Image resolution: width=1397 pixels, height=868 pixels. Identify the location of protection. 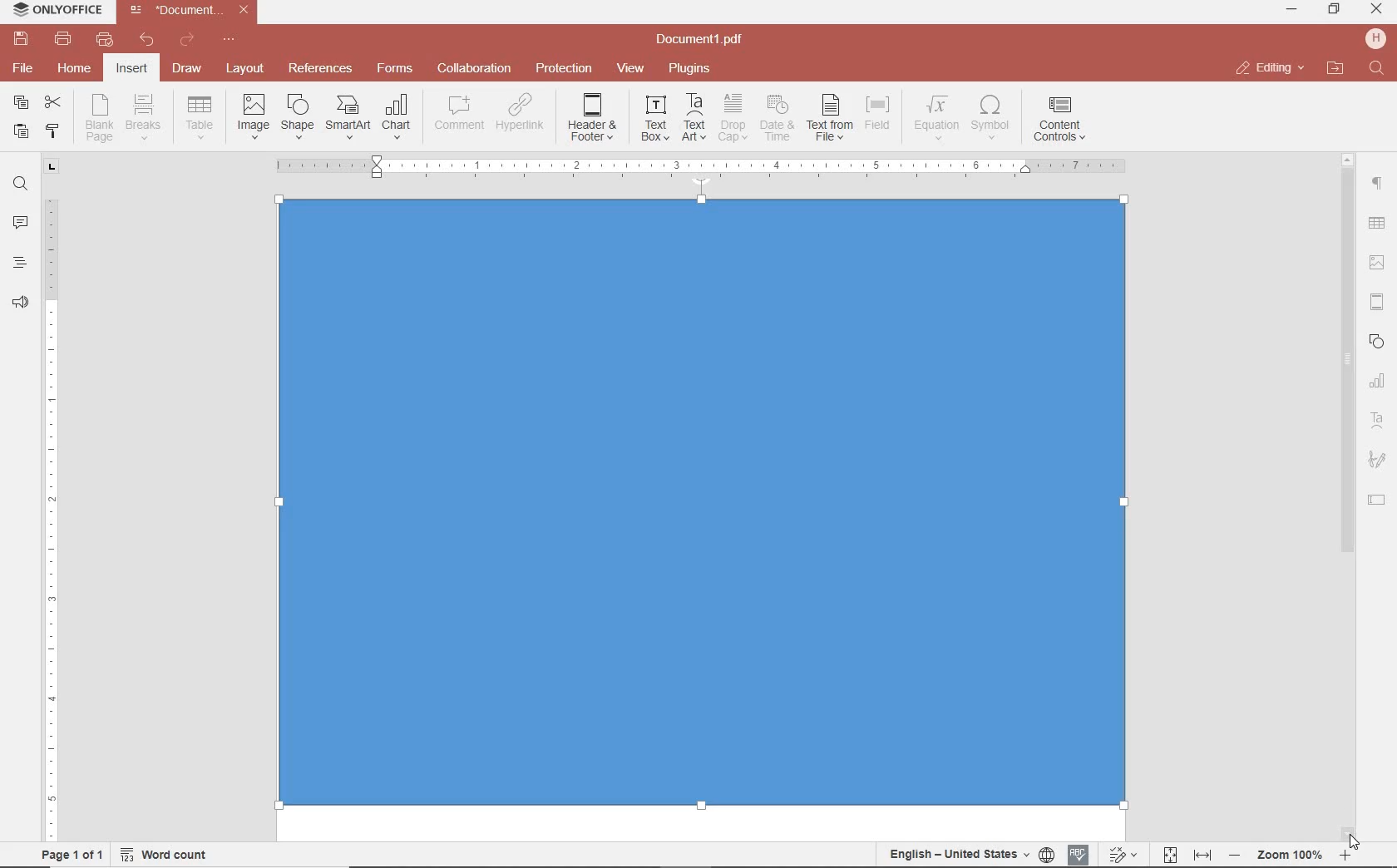
(565, 69).